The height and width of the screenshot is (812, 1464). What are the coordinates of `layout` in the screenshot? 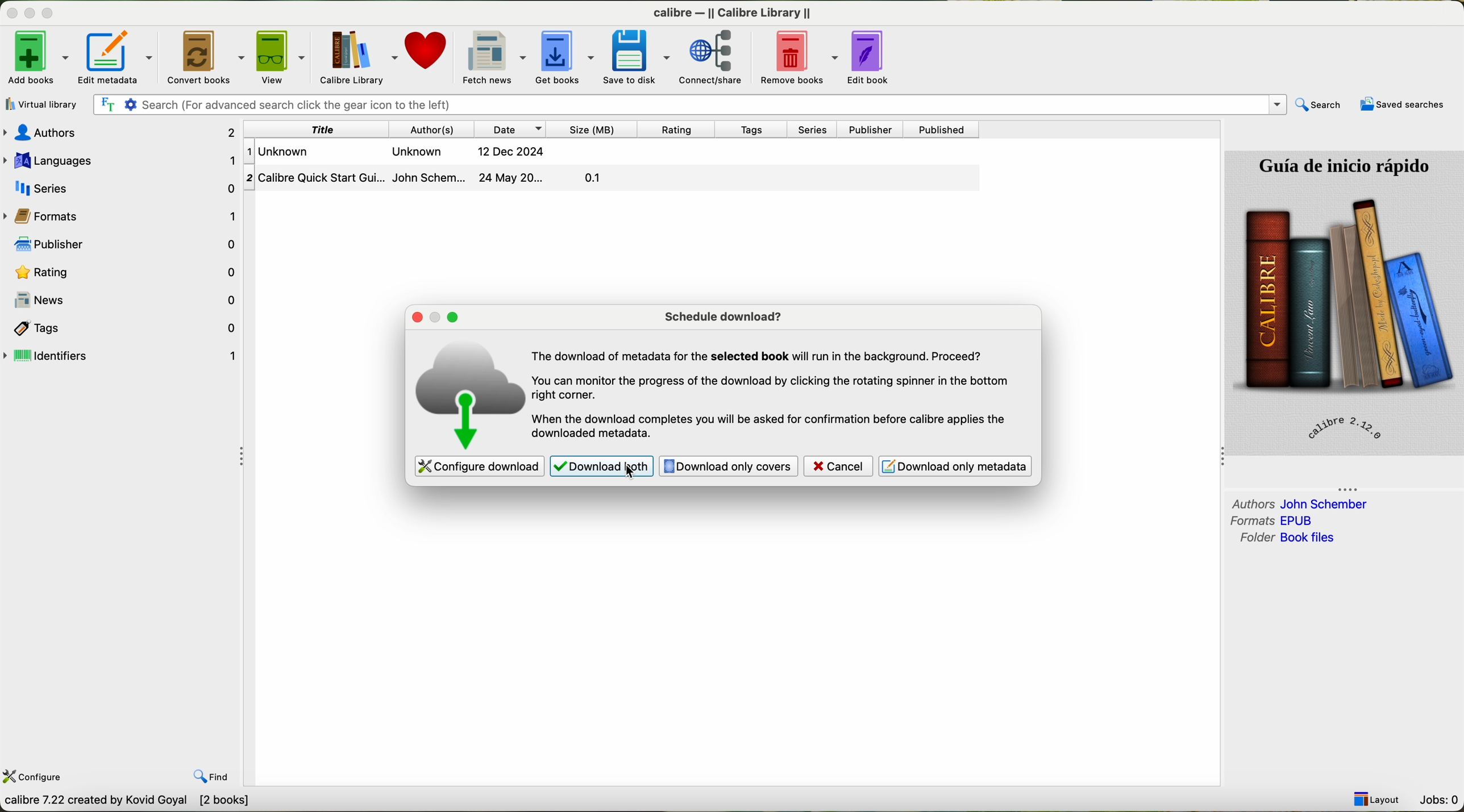 It's located at (1377, 798).